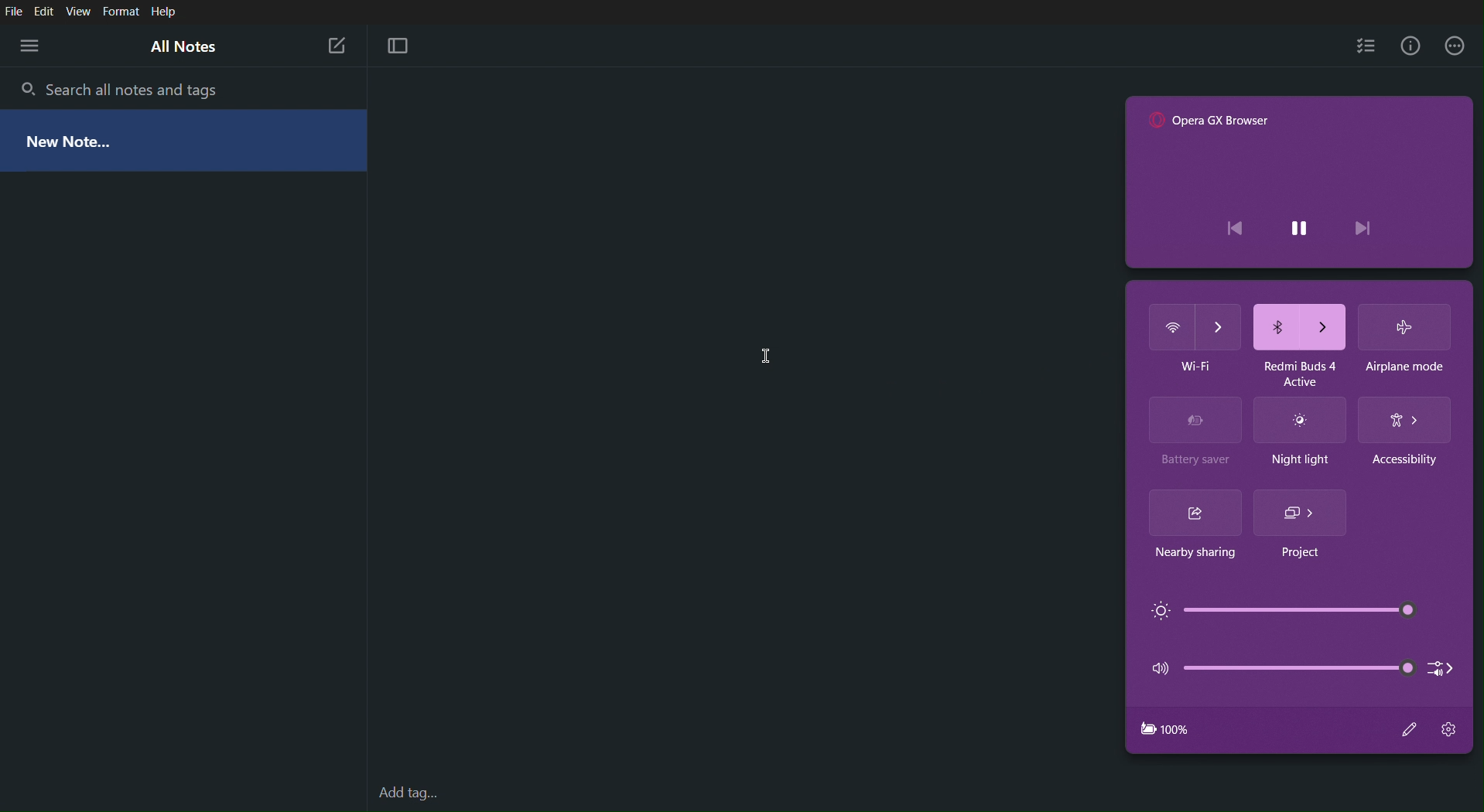 The height and width of the screenshot is (812, 1484). I want to click on New Note, so click(334, 43).